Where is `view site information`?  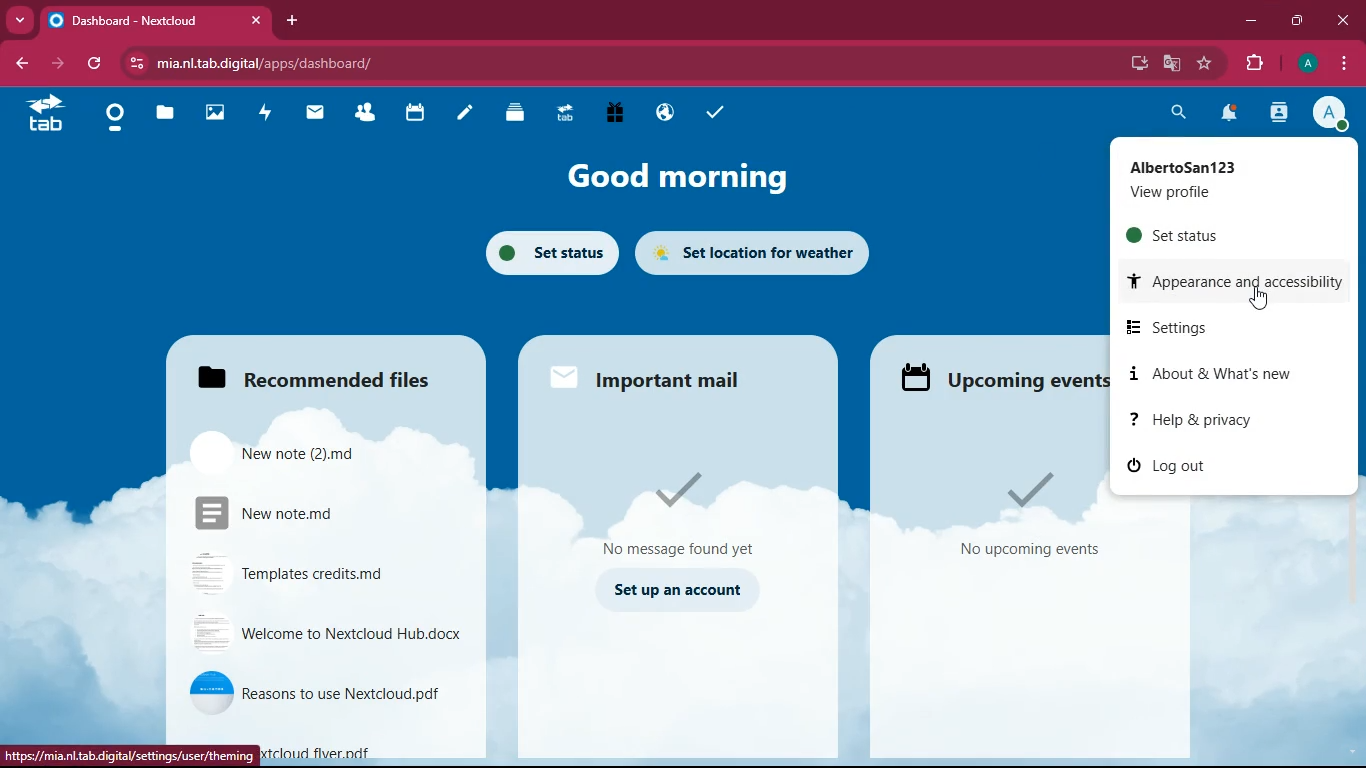 view site information is located at coordinates (134, 64).